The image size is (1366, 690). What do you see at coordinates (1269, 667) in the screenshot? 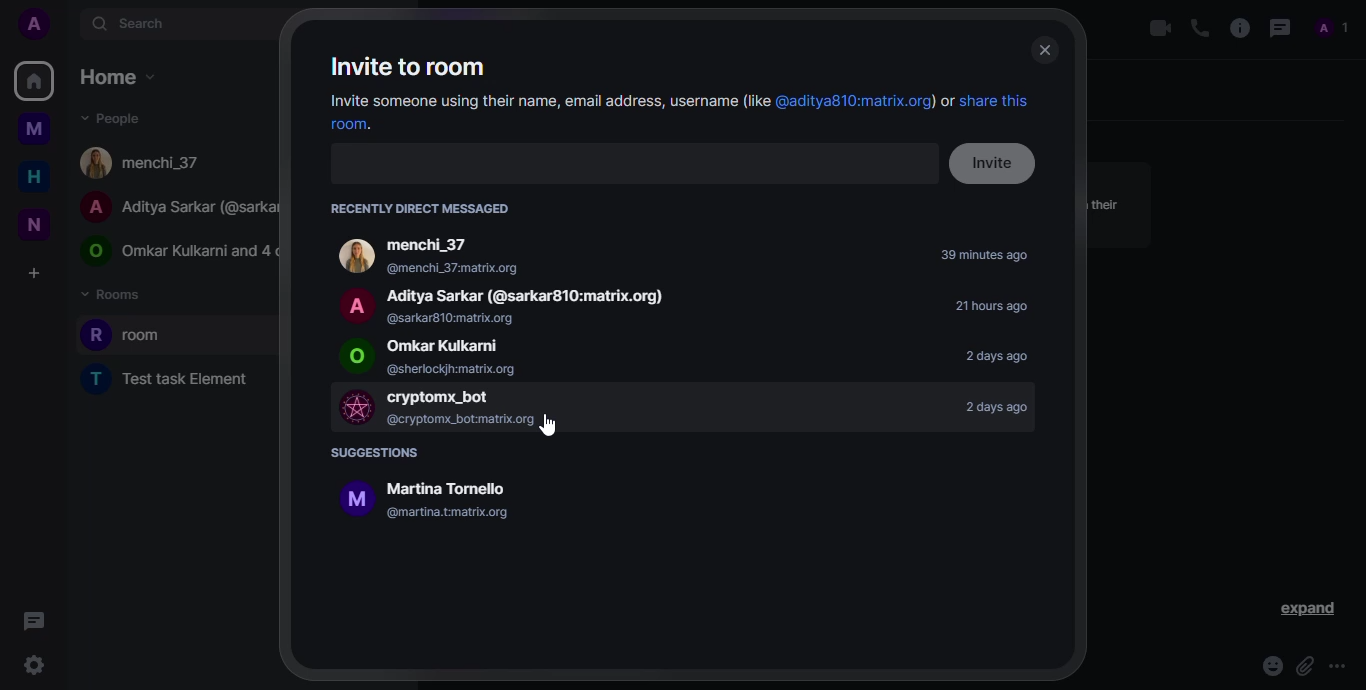
I see `emoji` at bounding box center [1269, 667].